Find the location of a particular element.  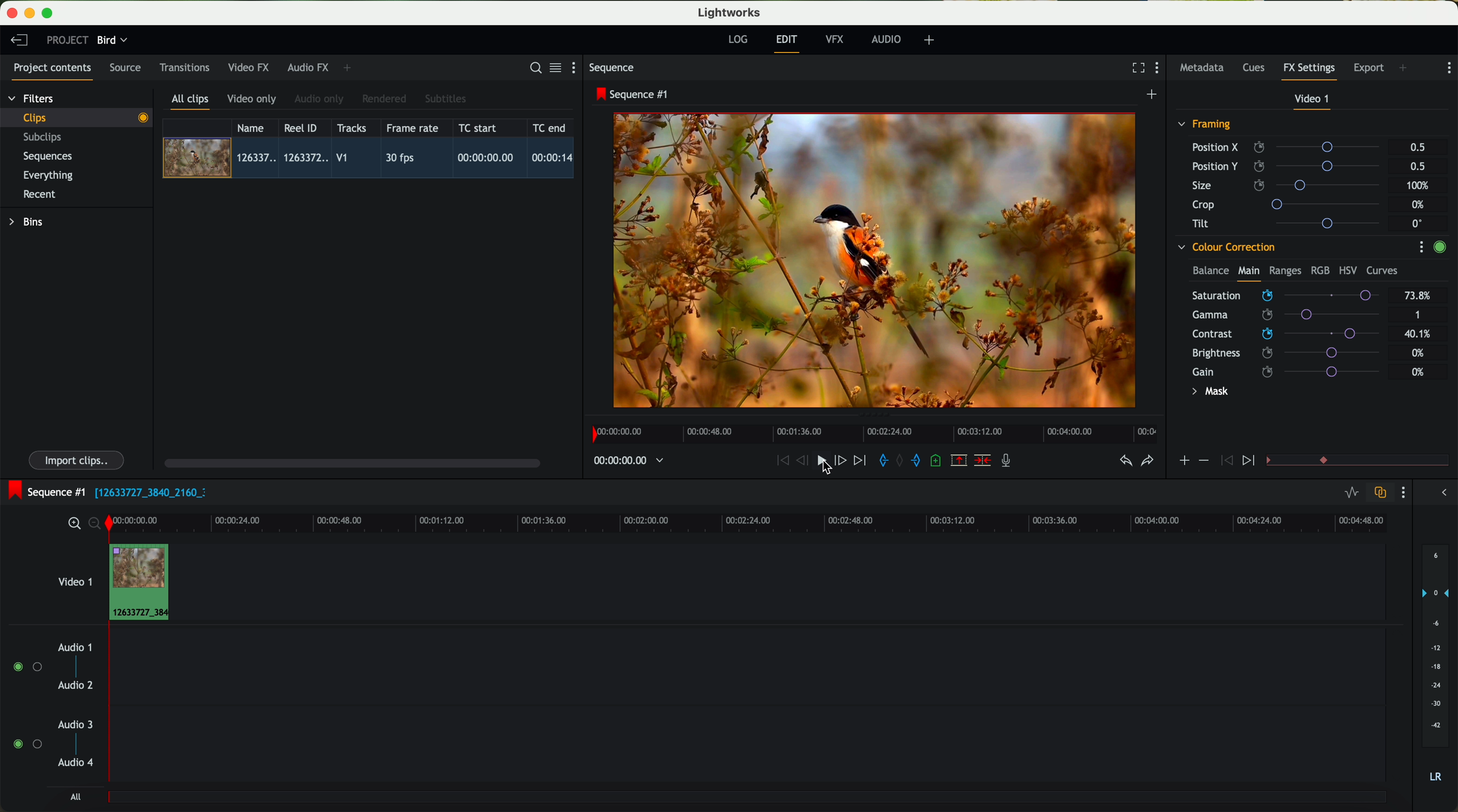

0.5 is located at coordinates (1418, 148).